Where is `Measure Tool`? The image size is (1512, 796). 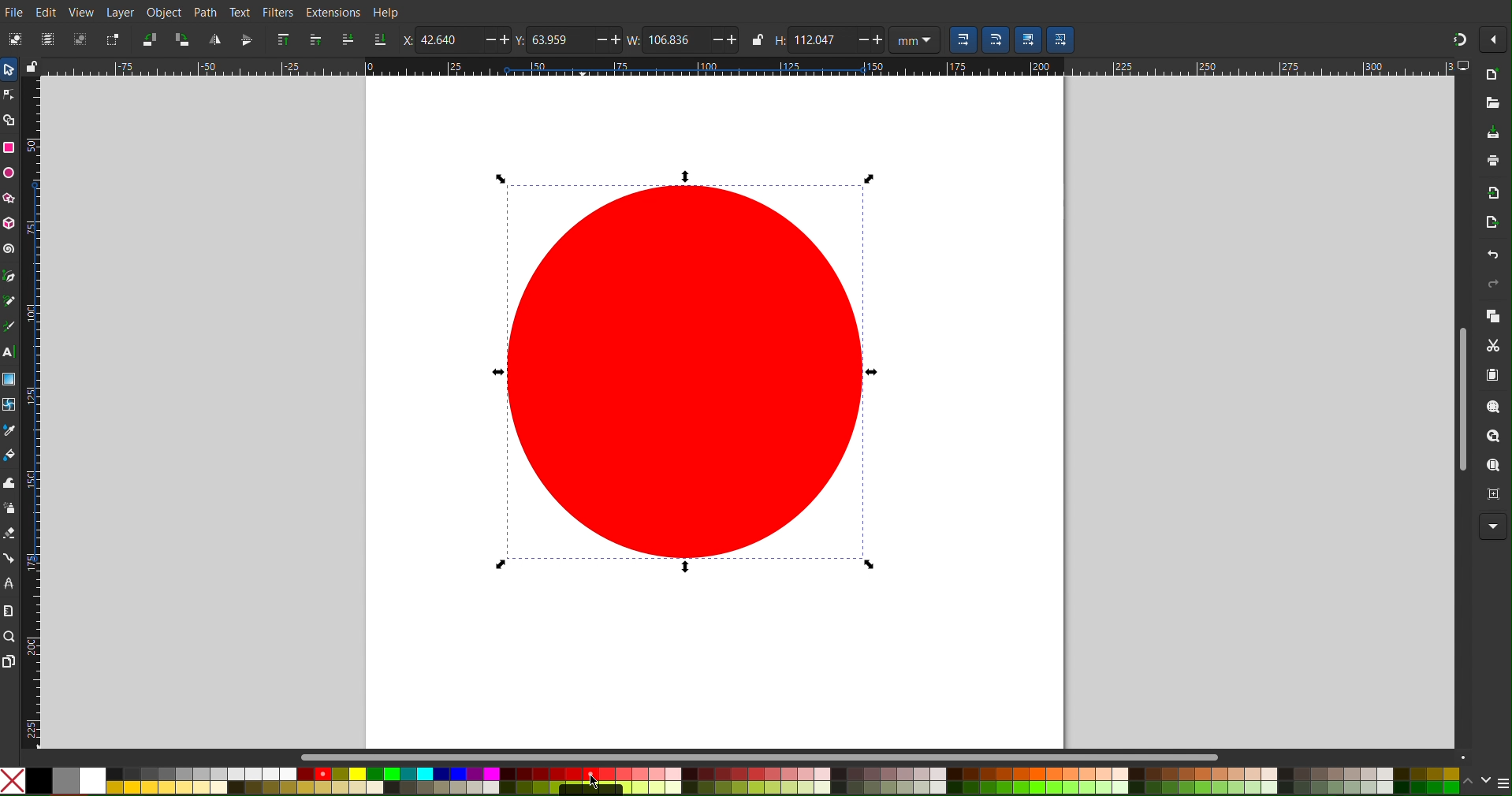
Measure Tool is located at coordinates (9, 612).